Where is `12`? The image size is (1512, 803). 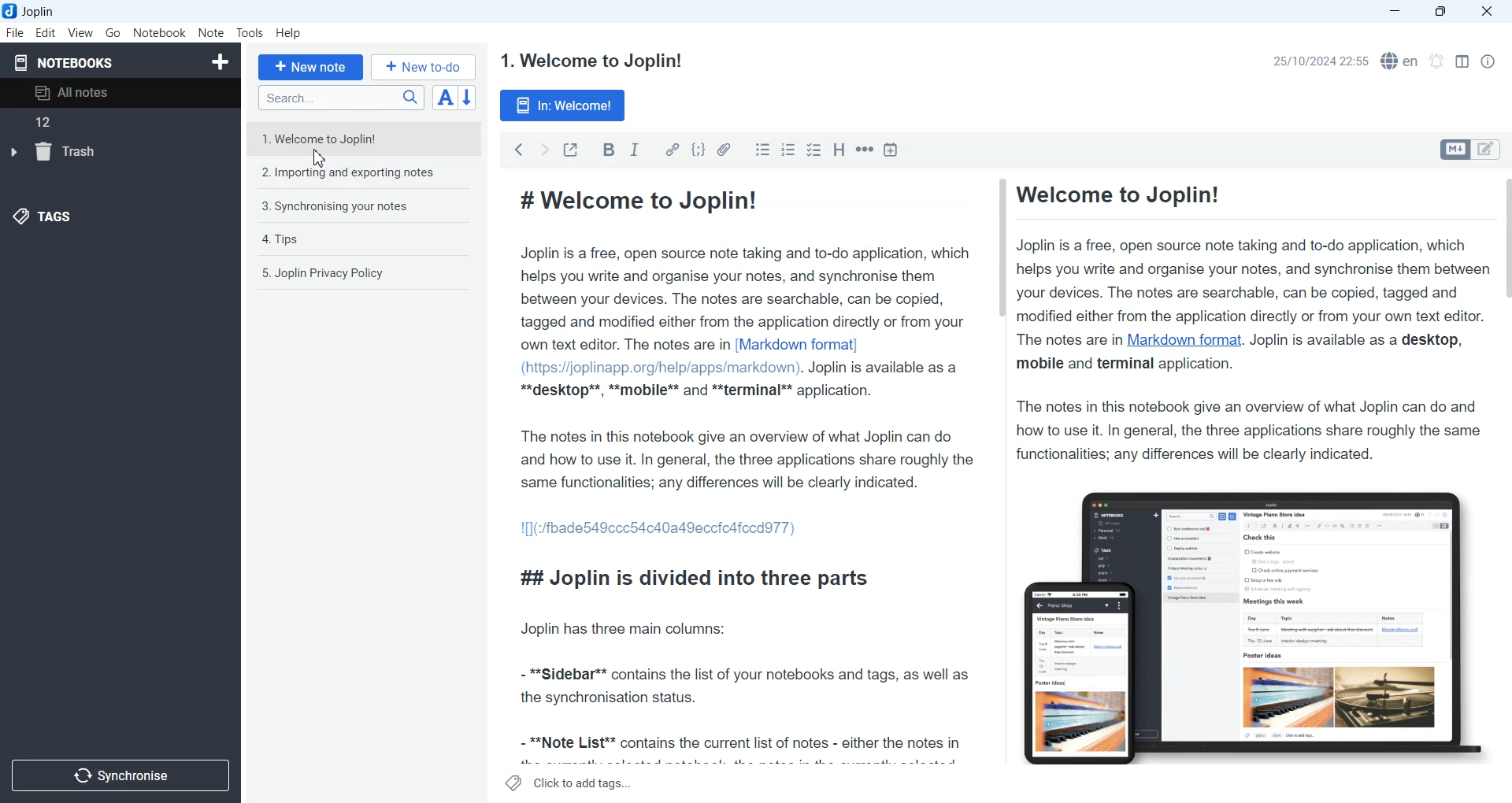 12 is located at coordinates (64, 121).